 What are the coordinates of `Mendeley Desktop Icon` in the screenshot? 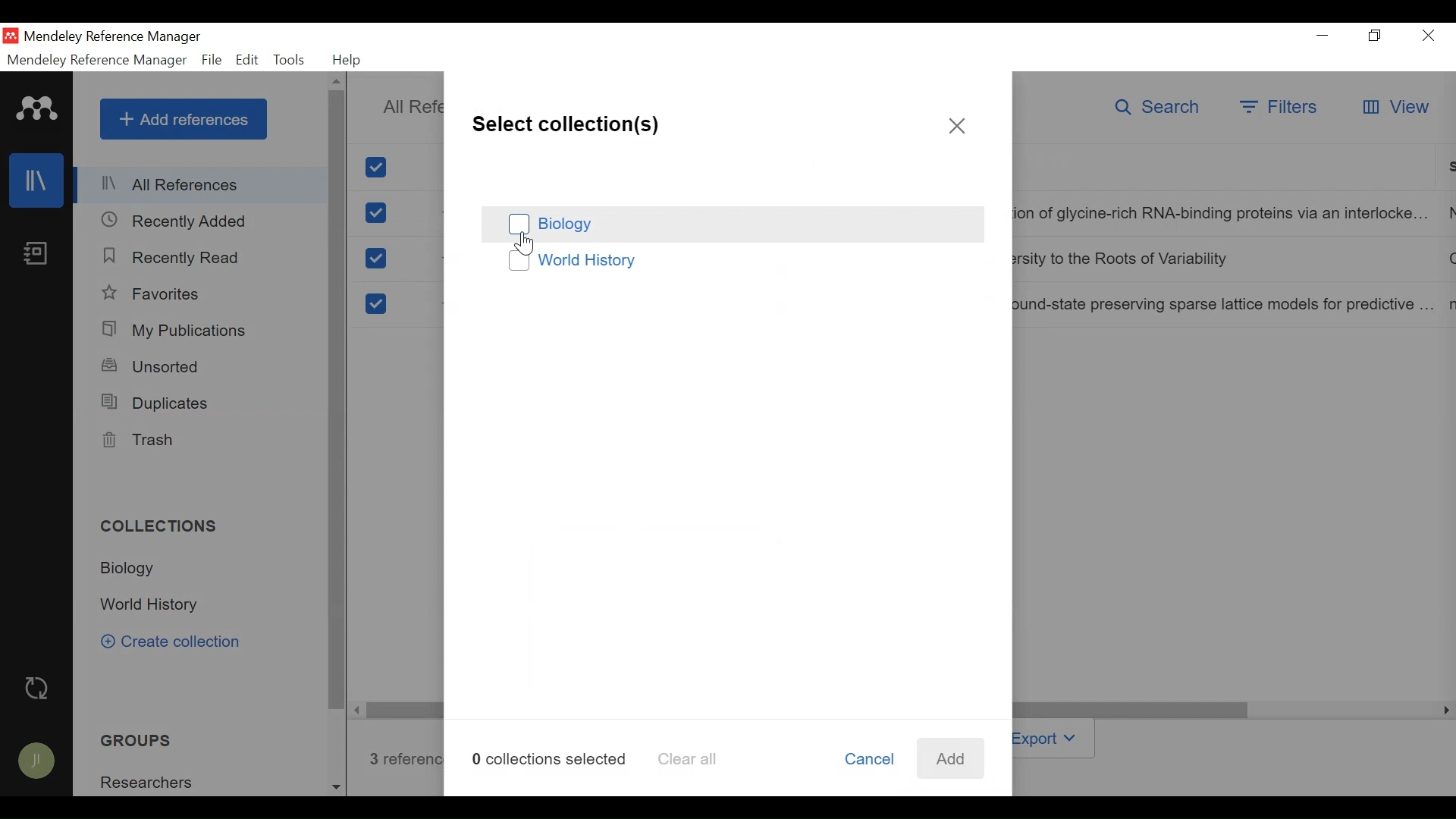 It's located at (11, 36).